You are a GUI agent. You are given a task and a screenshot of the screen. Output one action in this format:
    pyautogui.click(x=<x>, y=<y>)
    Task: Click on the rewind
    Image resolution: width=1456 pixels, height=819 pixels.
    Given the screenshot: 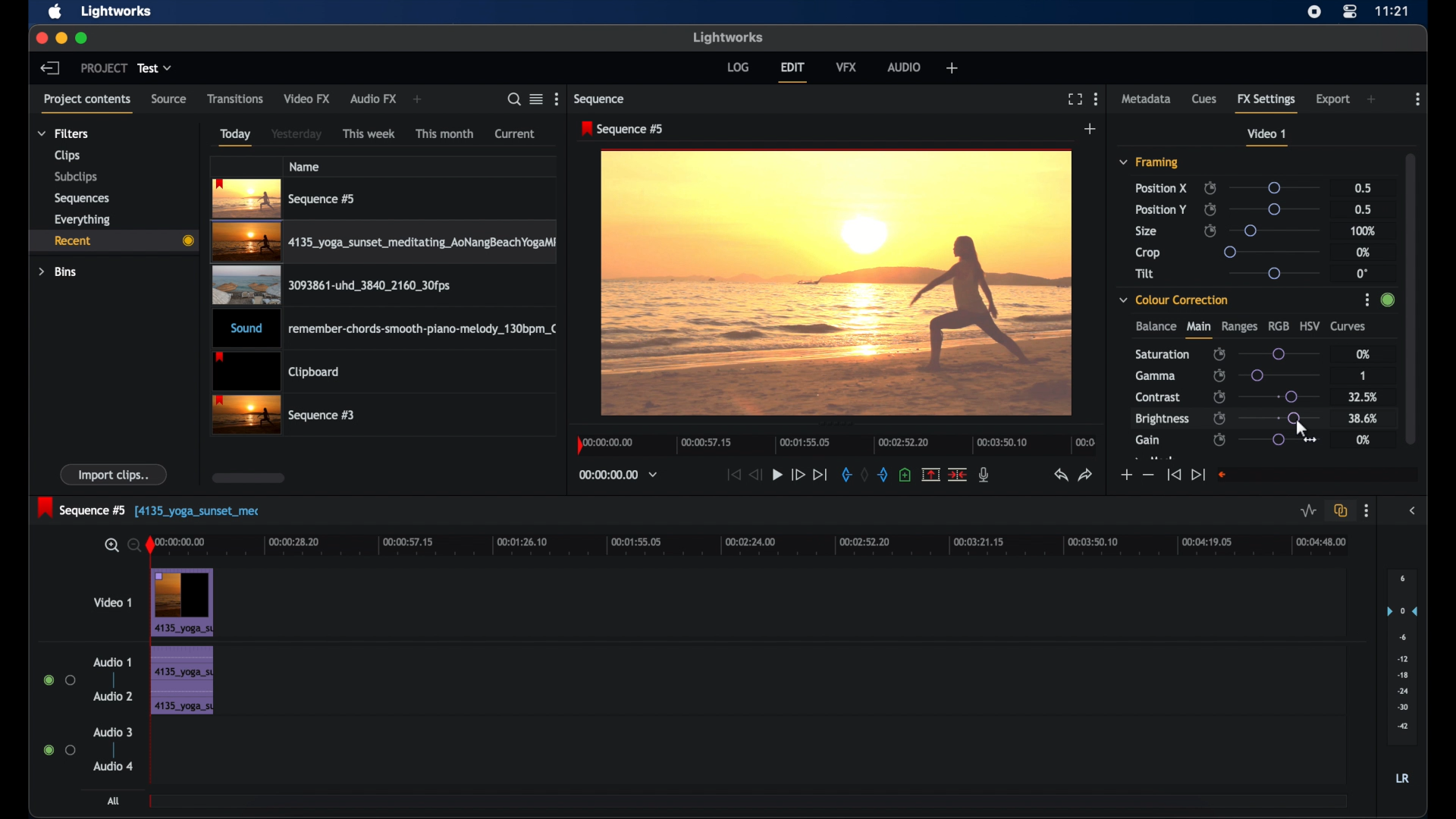 What is the action you would take?
    pyautogui.click(x=757, y=475)
    